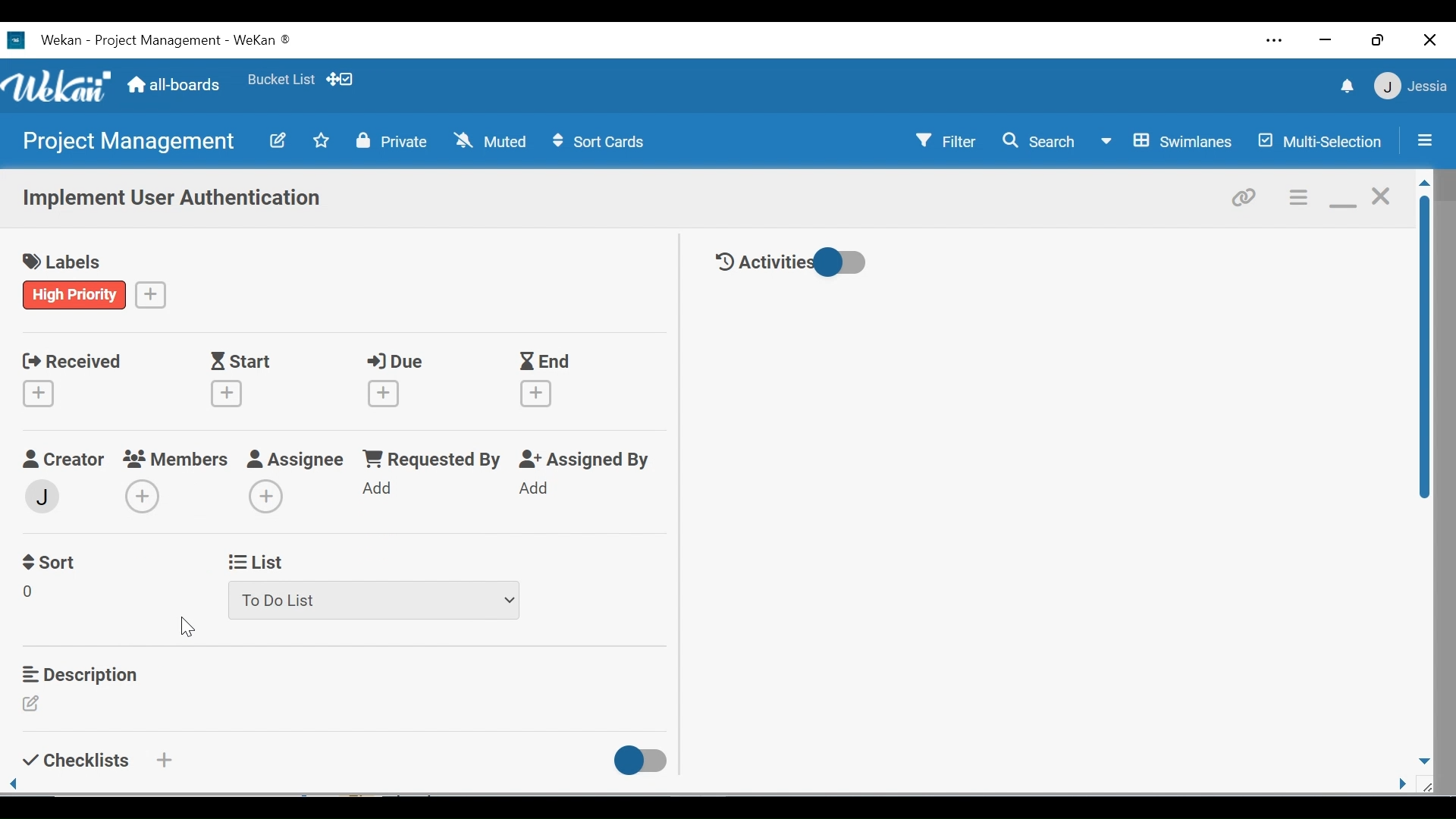 The height and width of the screenshot is (819, 1456). What do you see at coordinates (131, 143) in the screenshot?
I see `Project Management` at bounding box center [131, 143].